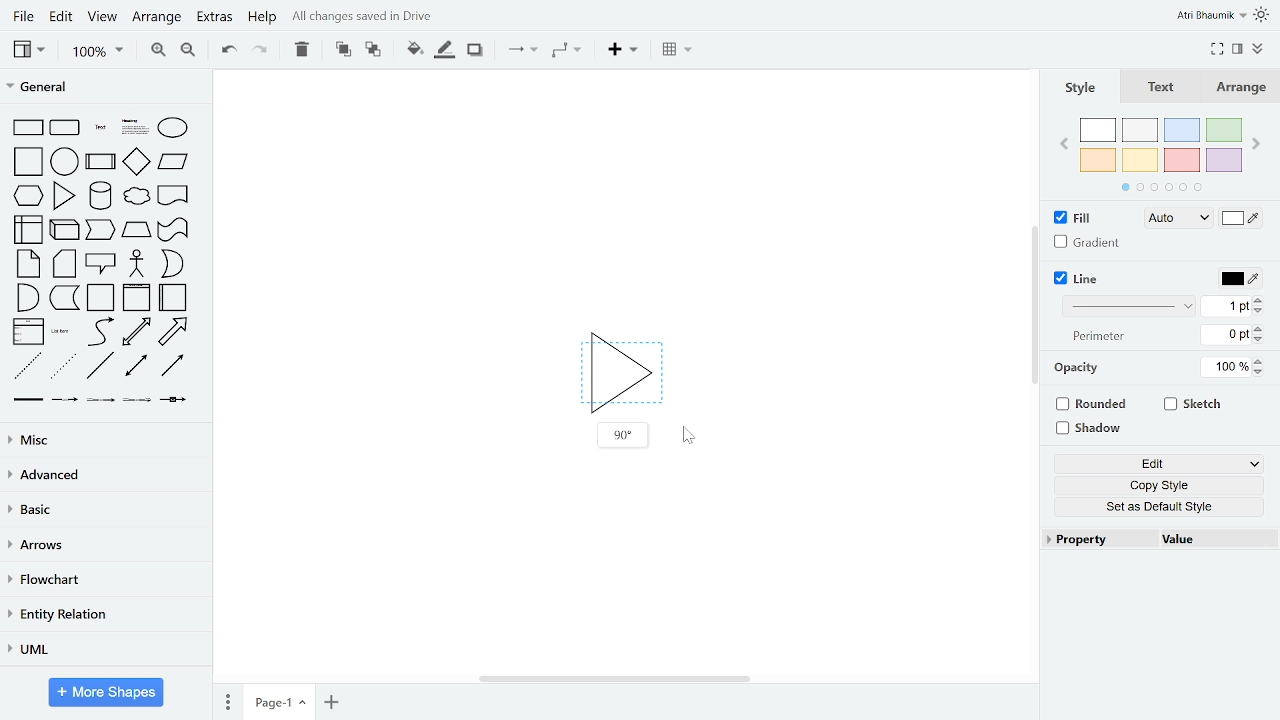 Image resolution: width=1280 pixels, height=720 pixels. What do you see at coordinates (173, 162) in the screenshot?
I see `parallelogram` at bounding box center [173, 162].